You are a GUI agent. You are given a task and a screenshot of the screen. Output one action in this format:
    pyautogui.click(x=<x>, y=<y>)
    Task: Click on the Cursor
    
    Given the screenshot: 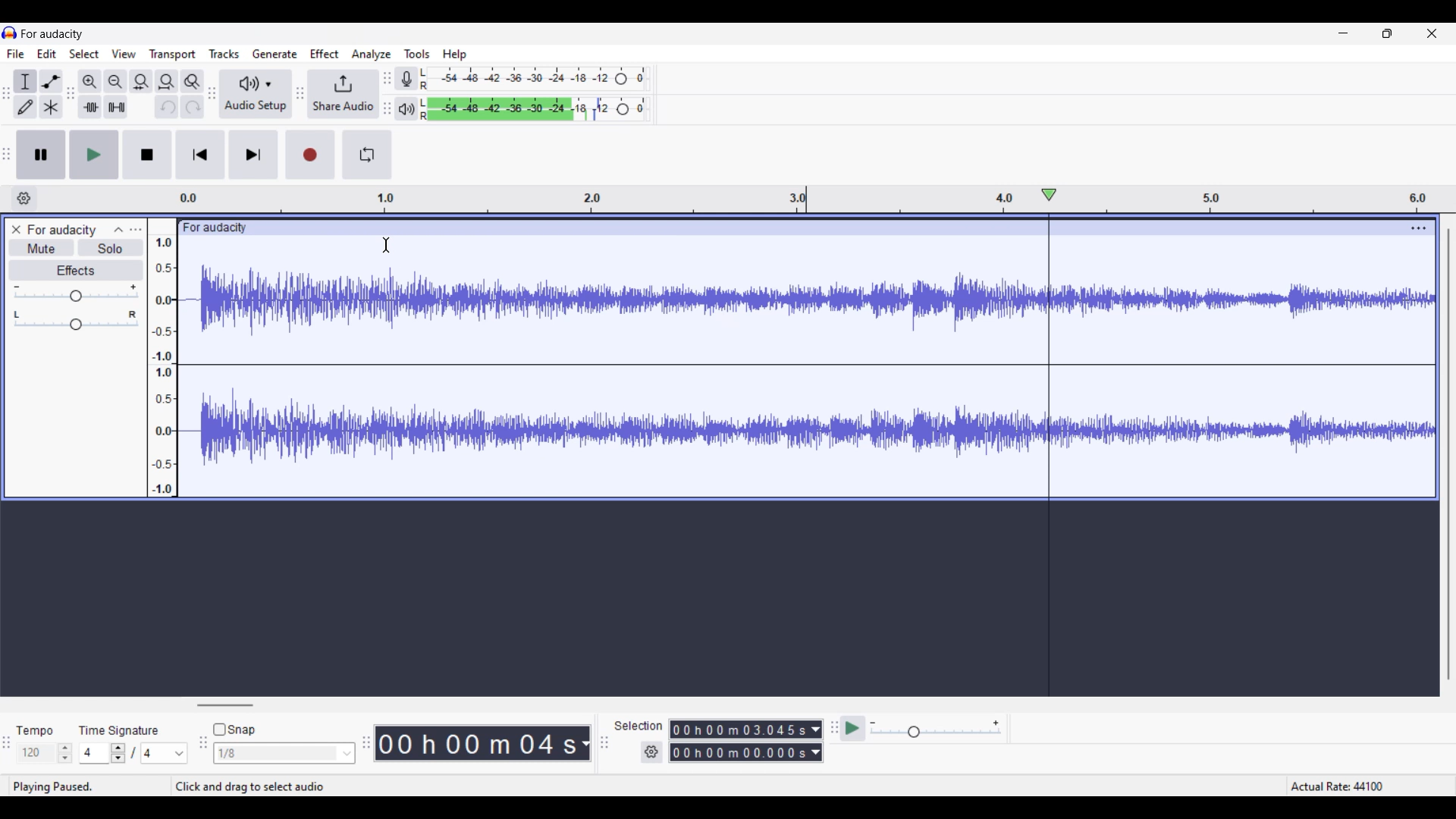 What is the action you would take?
    pyautogui.click(x=385, y=245)
    